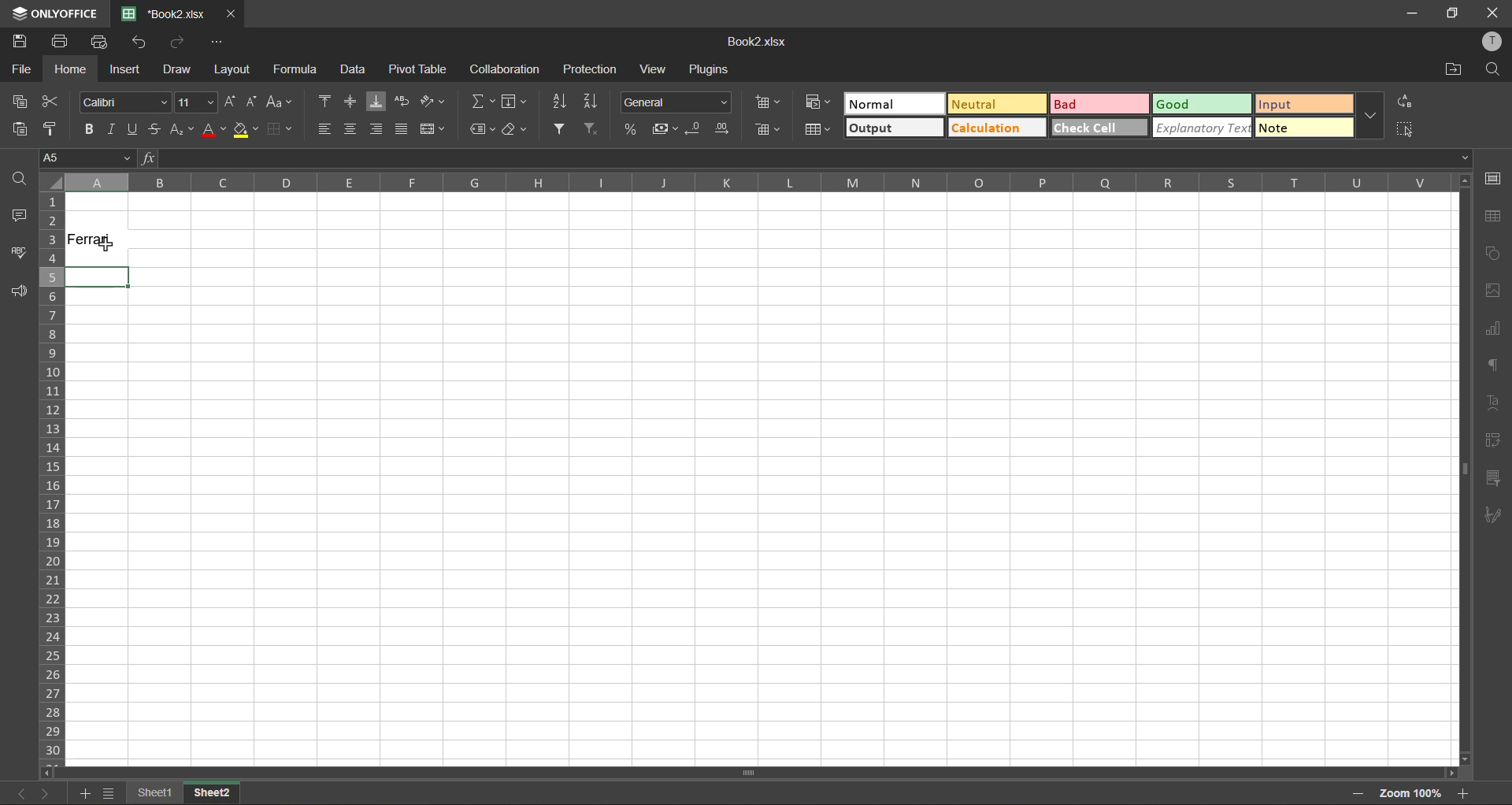 This screenshot has height=805, width=1512. Describe the element at coordinates (283, 102) in the screenshot. I see `change case` at that location.